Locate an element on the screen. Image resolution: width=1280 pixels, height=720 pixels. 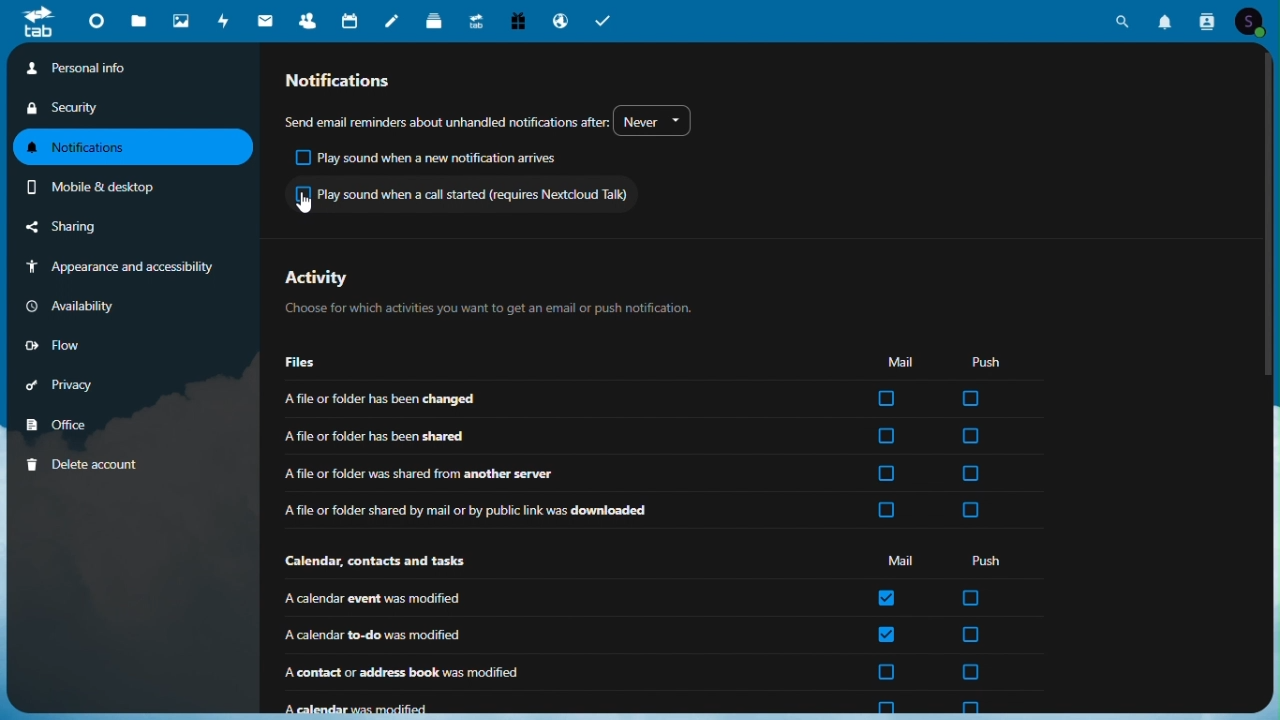
Appearance and accessibility is located at coordinates (124, 268).